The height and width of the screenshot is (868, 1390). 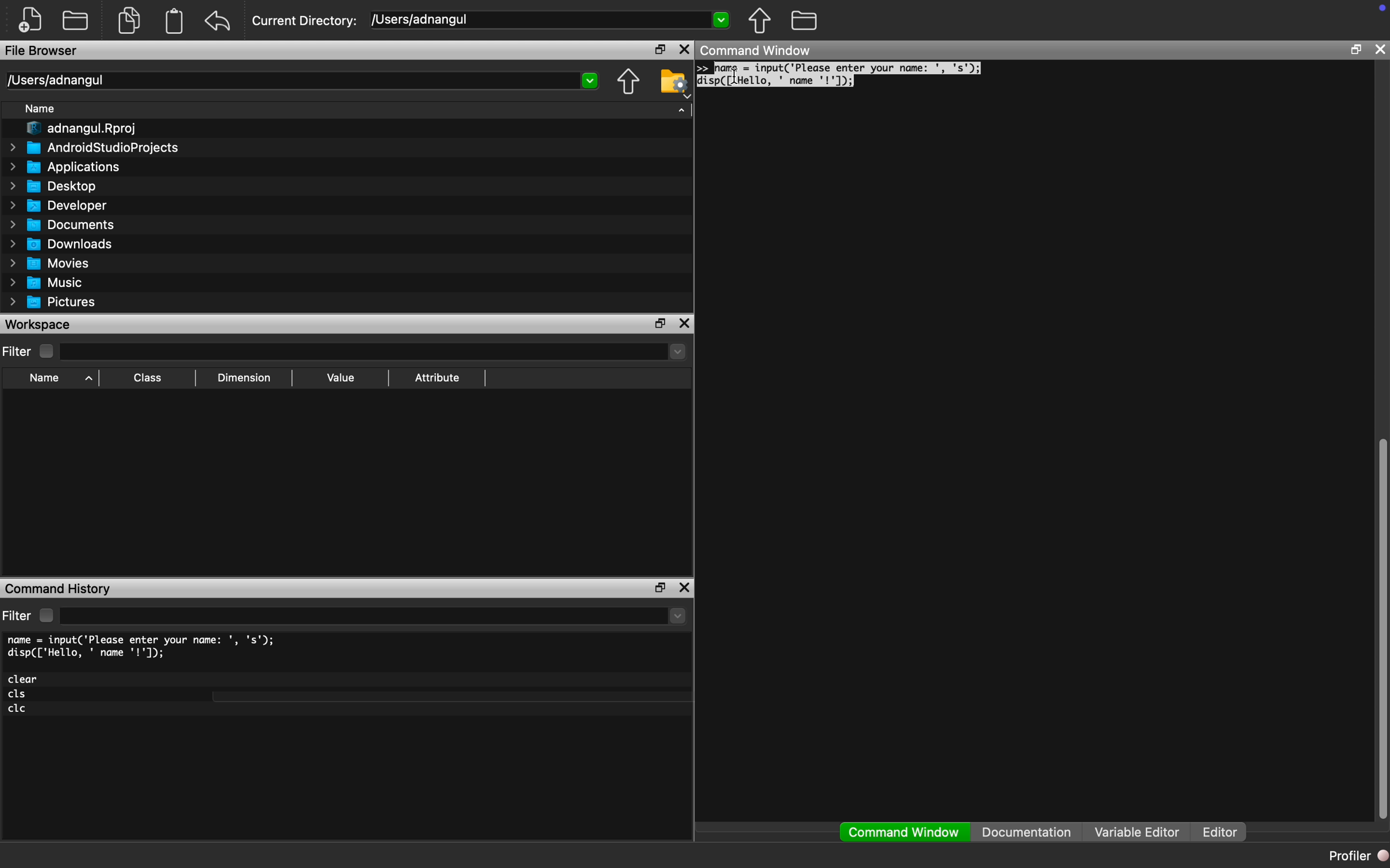 I want to click on Pictures, so click(x=53, y=303).